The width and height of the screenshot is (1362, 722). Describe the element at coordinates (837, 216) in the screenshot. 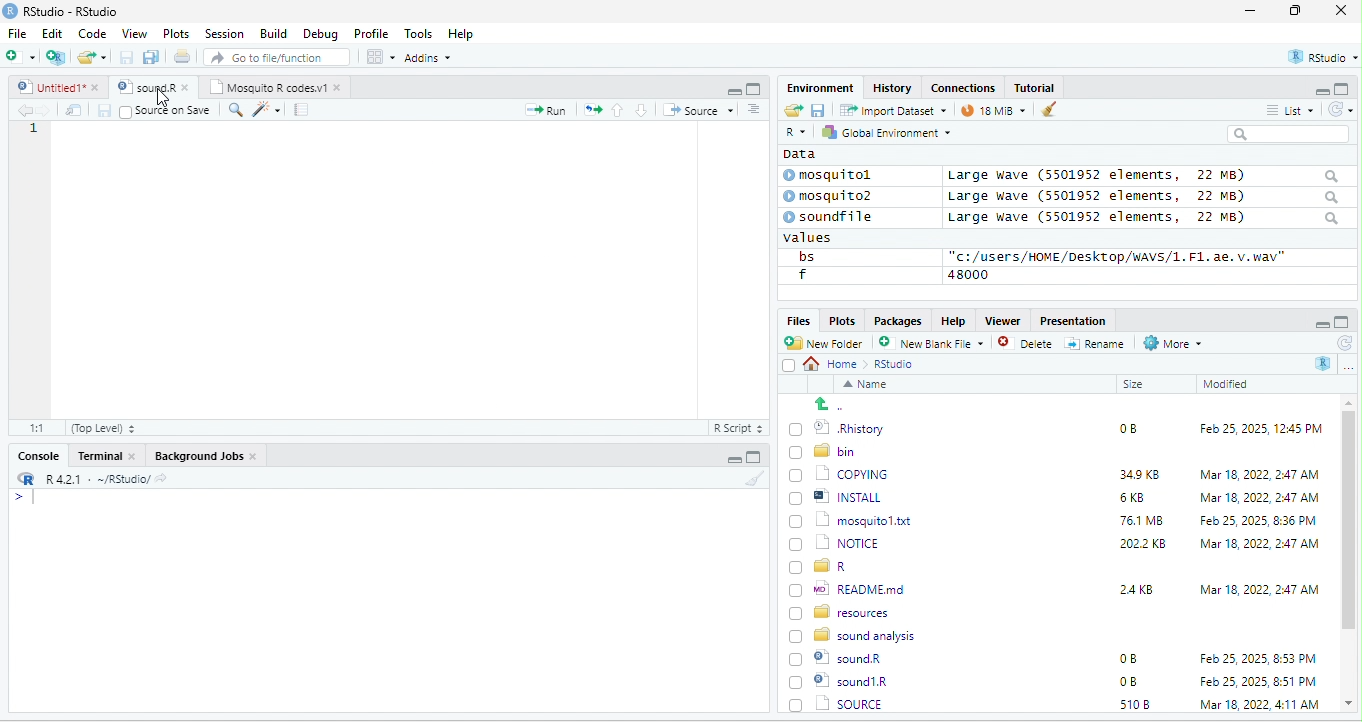

I see `© soundfile` at that location.